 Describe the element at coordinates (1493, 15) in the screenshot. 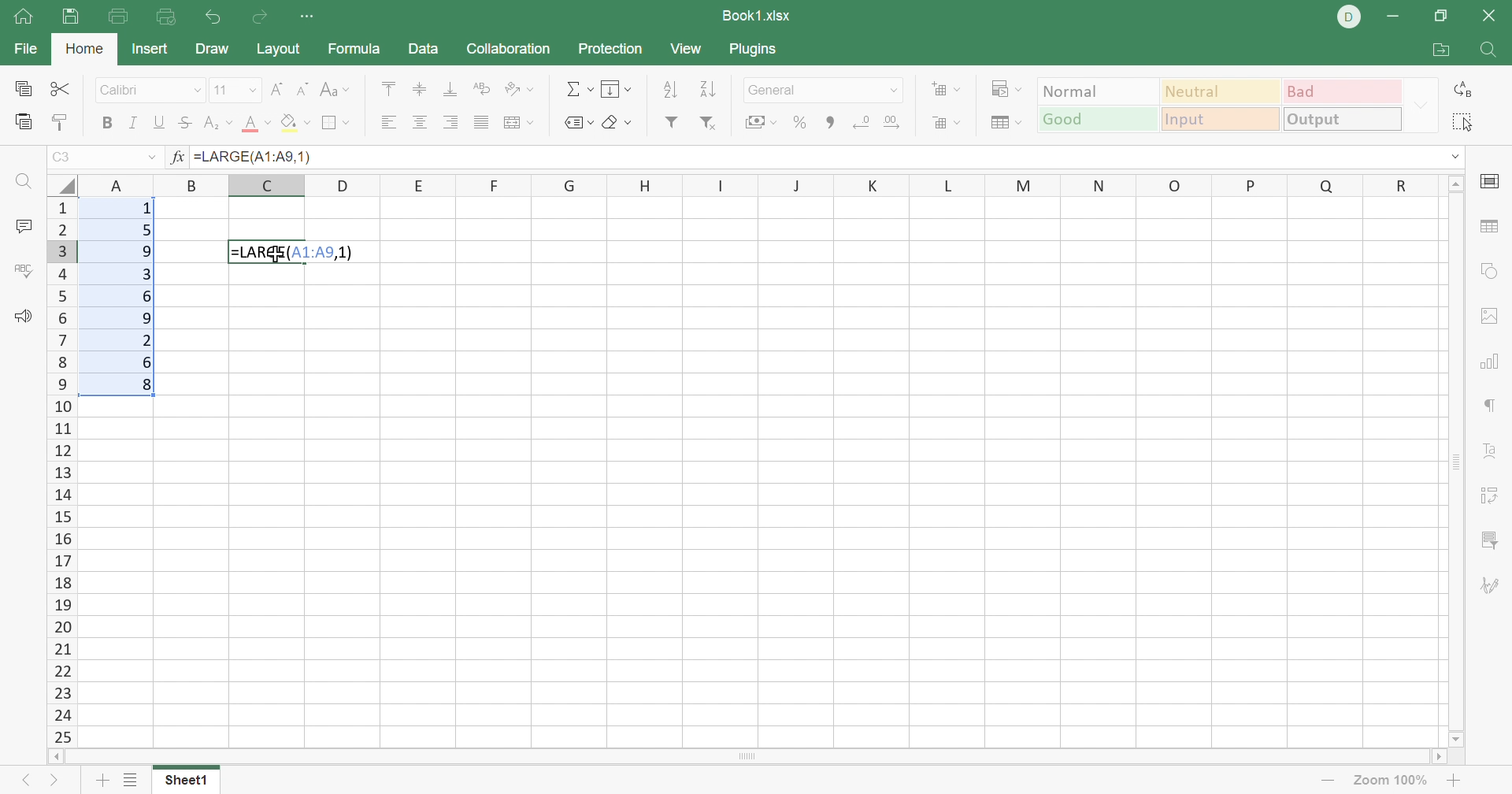

I see `Close` at that location.